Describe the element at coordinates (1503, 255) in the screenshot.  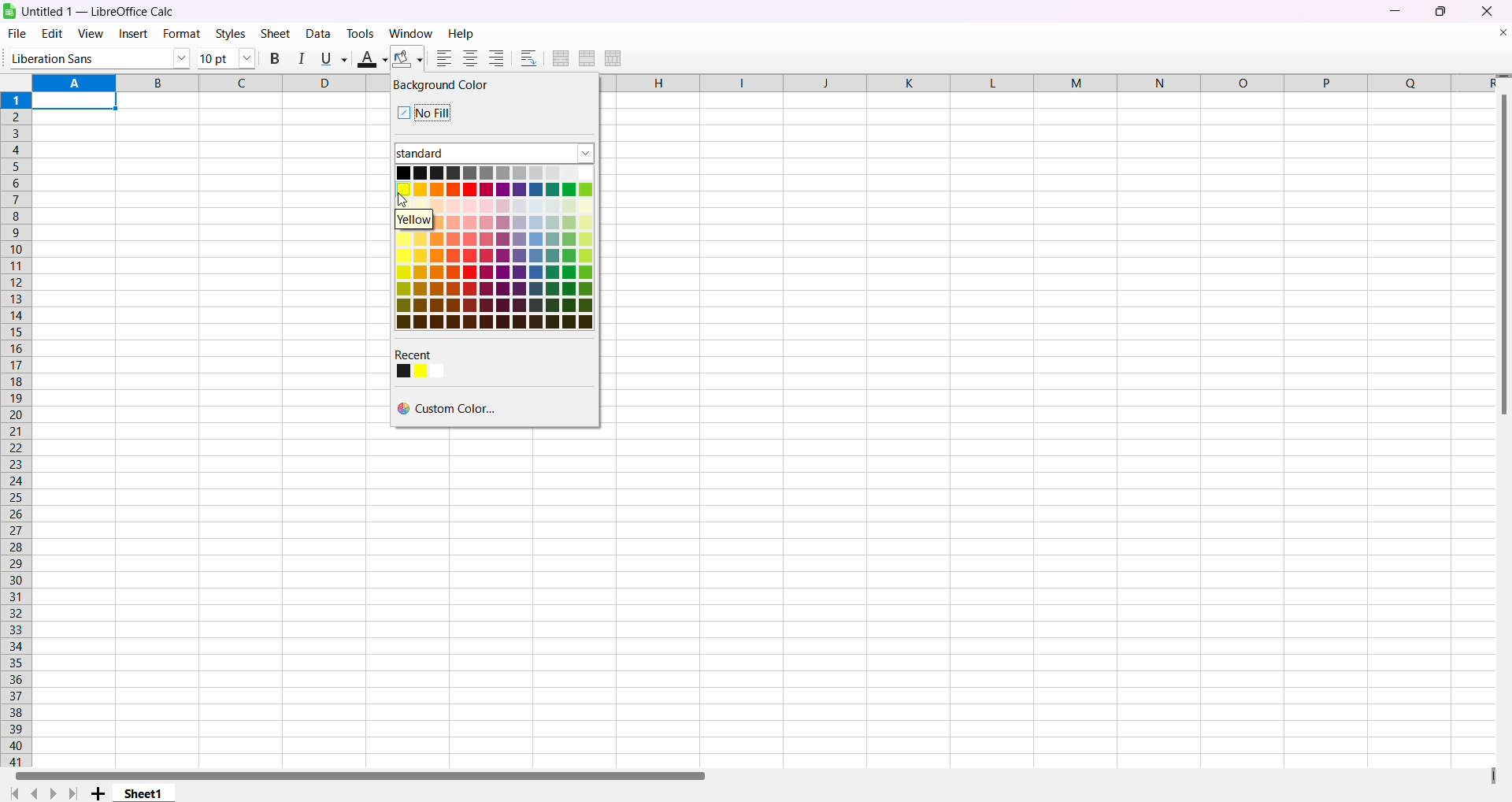
I see `vertical scroll bar` at that location.